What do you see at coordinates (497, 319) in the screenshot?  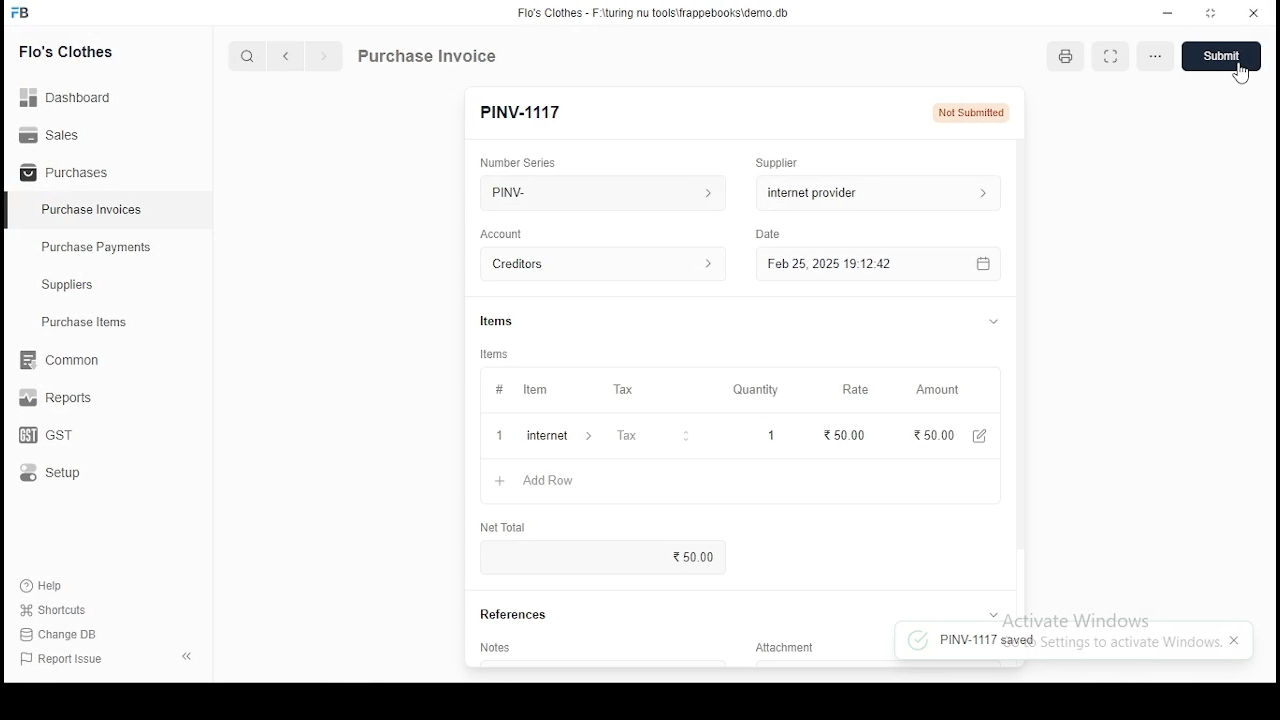 I see `Items` at bounding box center [497, 319].